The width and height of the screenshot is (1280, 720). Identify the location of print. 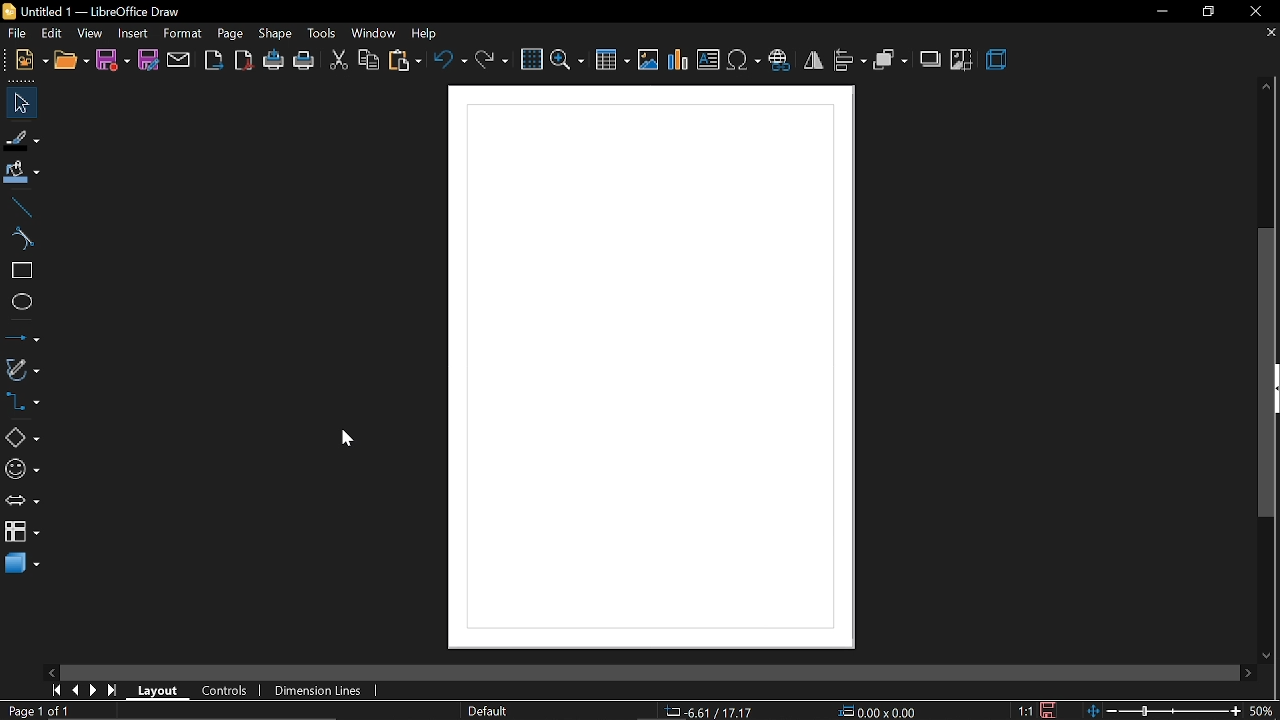
(304, 63).